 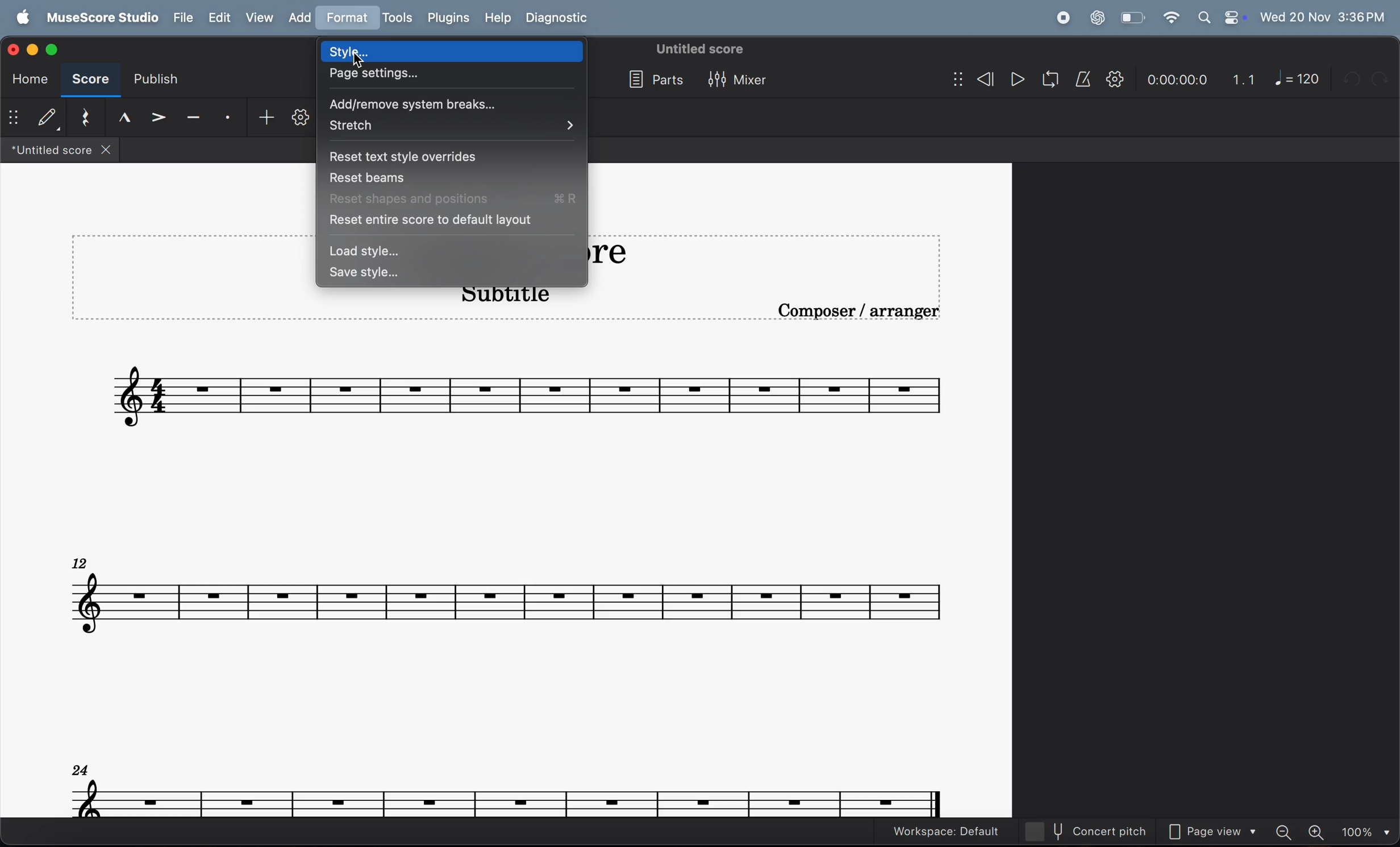 I want to click on add, so click(x=262, y=118).